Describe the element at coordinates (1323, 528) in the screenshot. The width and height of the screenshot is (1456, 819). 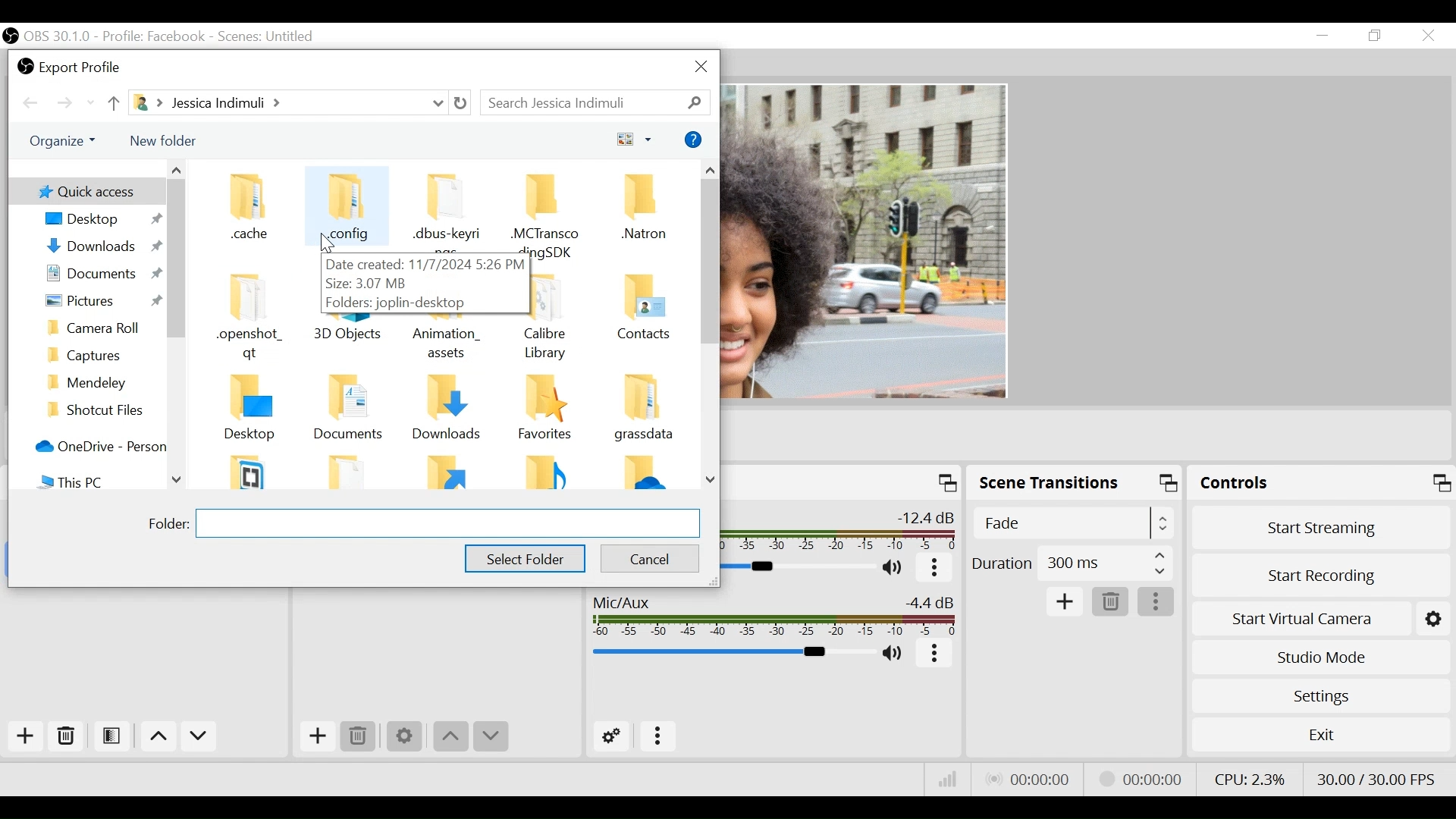
I see `Start Streaming` at that location.